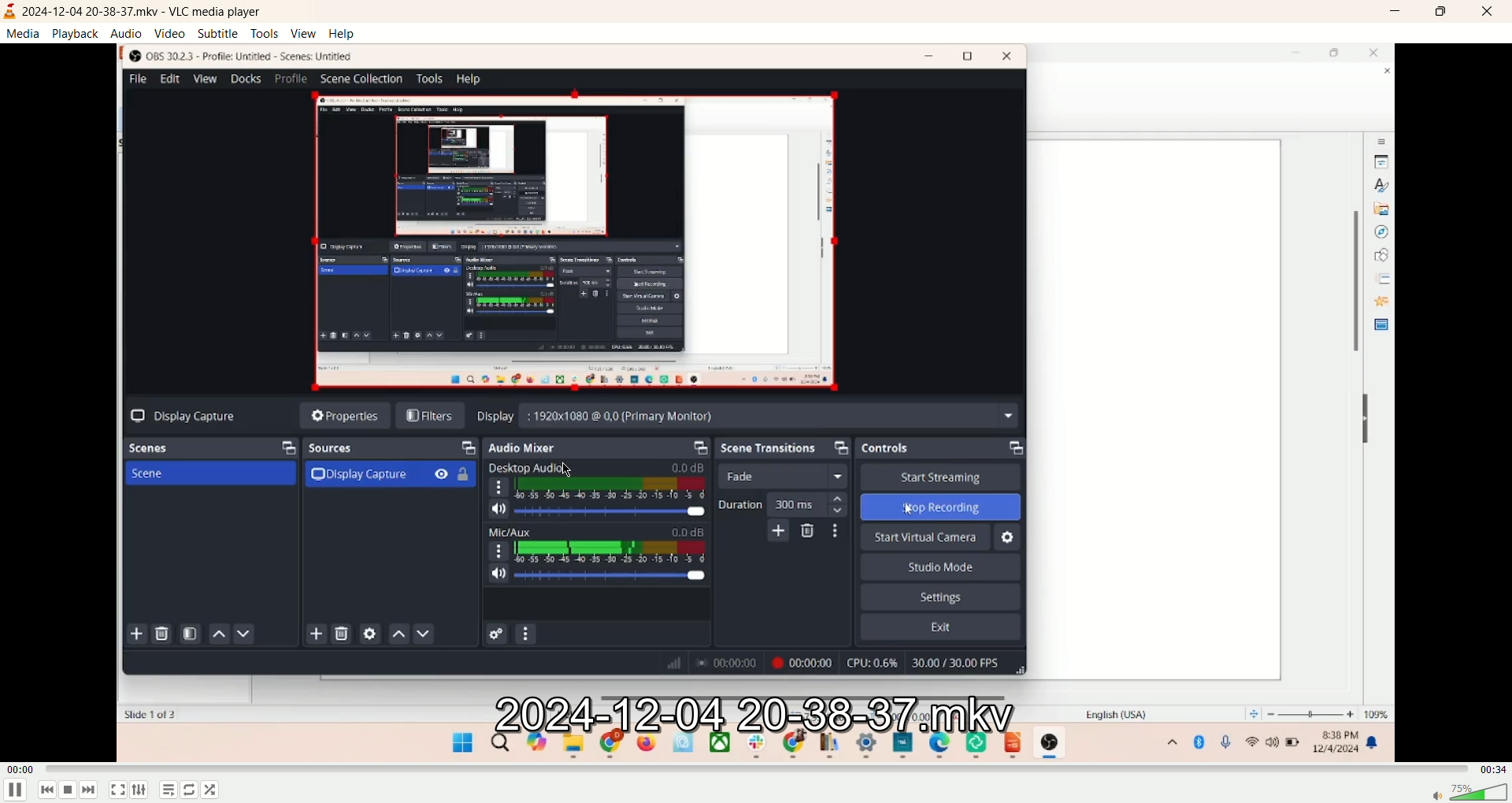  Describe the element at coordinates (149, 10) in the screenshot. I see `2024-12-04-20-38-37.mkv - VLC media payer` at that location.